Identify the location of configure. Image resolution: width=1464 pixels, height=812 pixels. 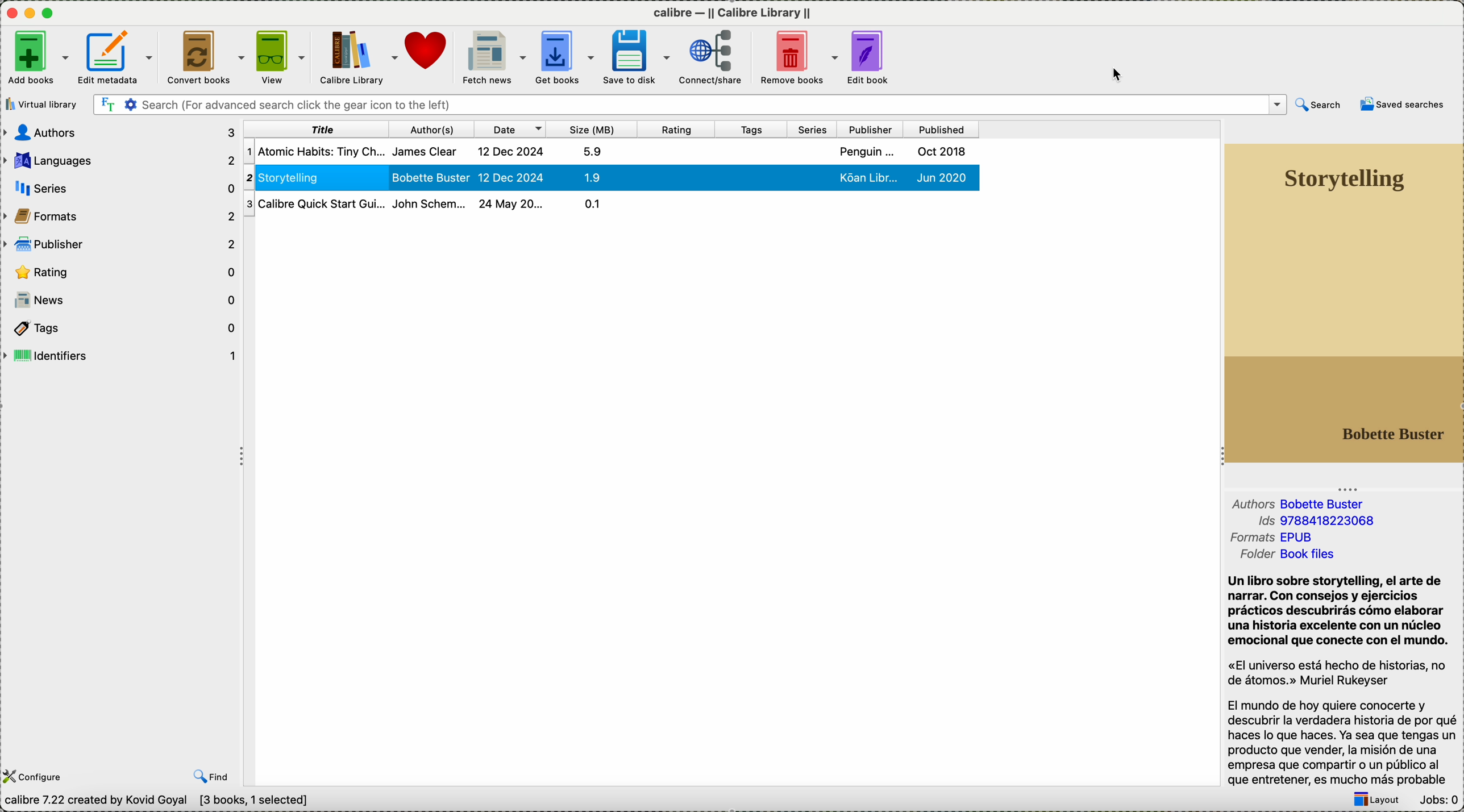
(31, 777).